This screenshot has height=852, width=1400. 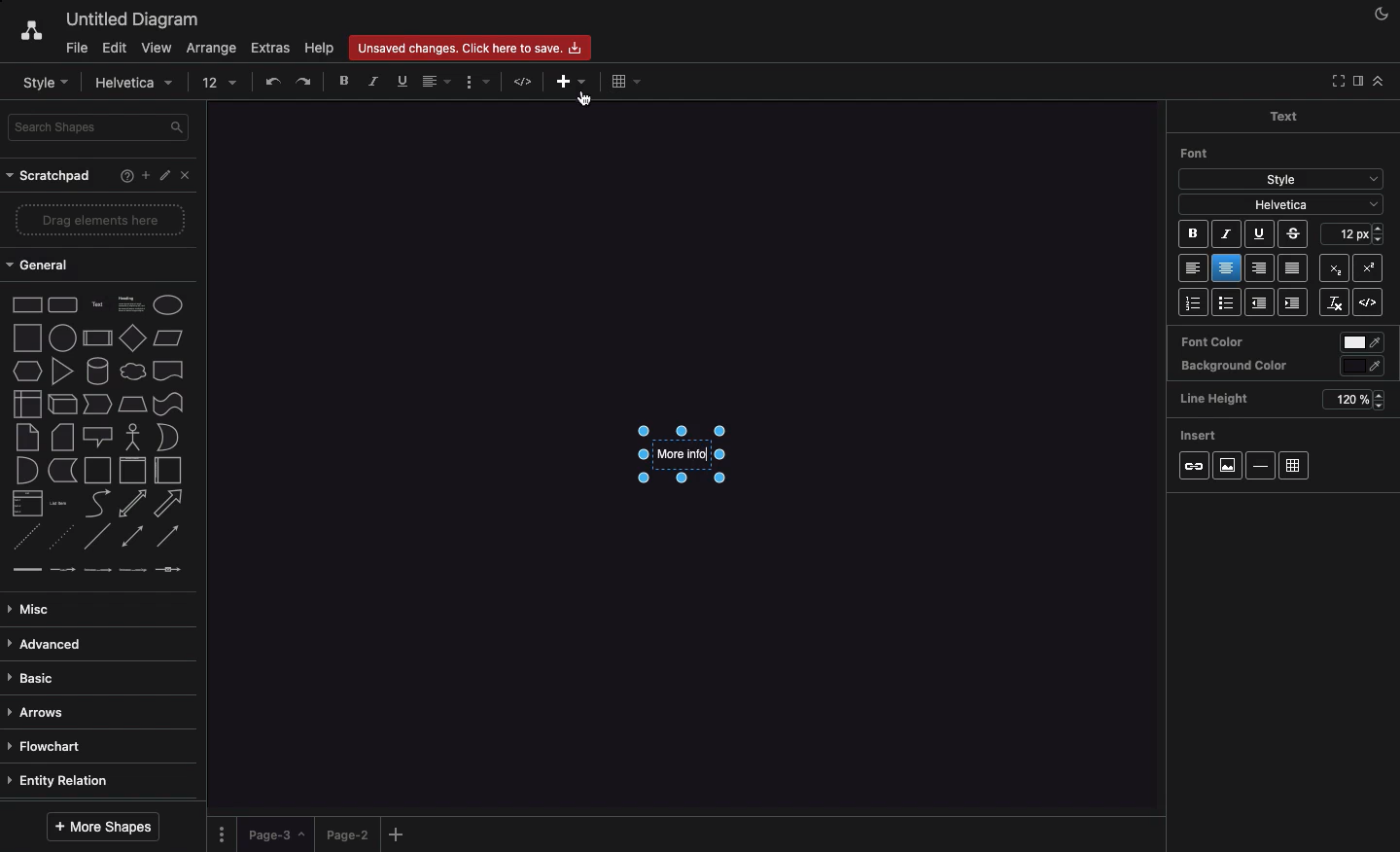 What do you see at coordinates (169, 504) in the screenshot?
I see `arrow` at bounding box center [169, 504].